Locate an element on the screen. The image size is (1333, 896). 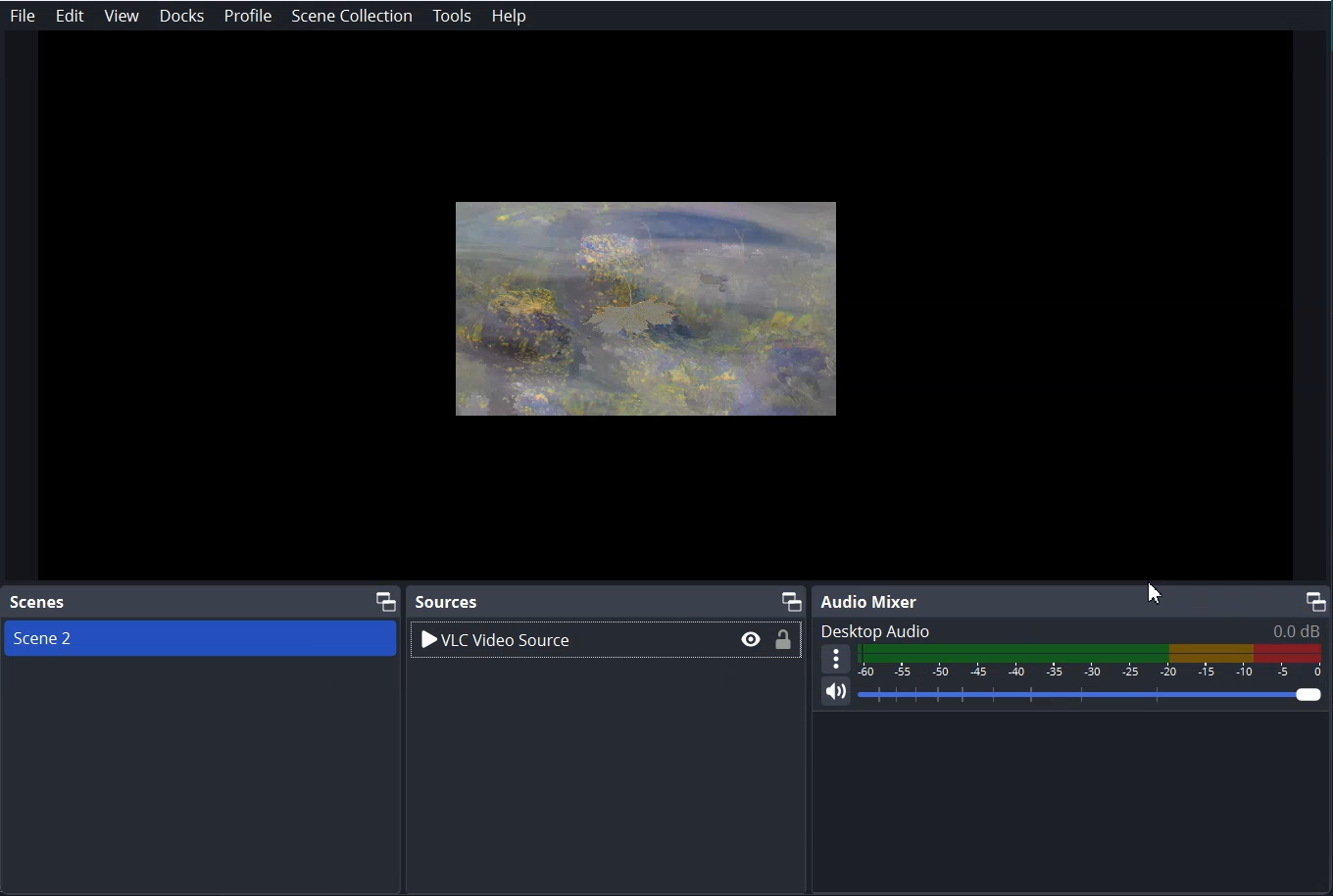
View is located at coordinates (122, 16).